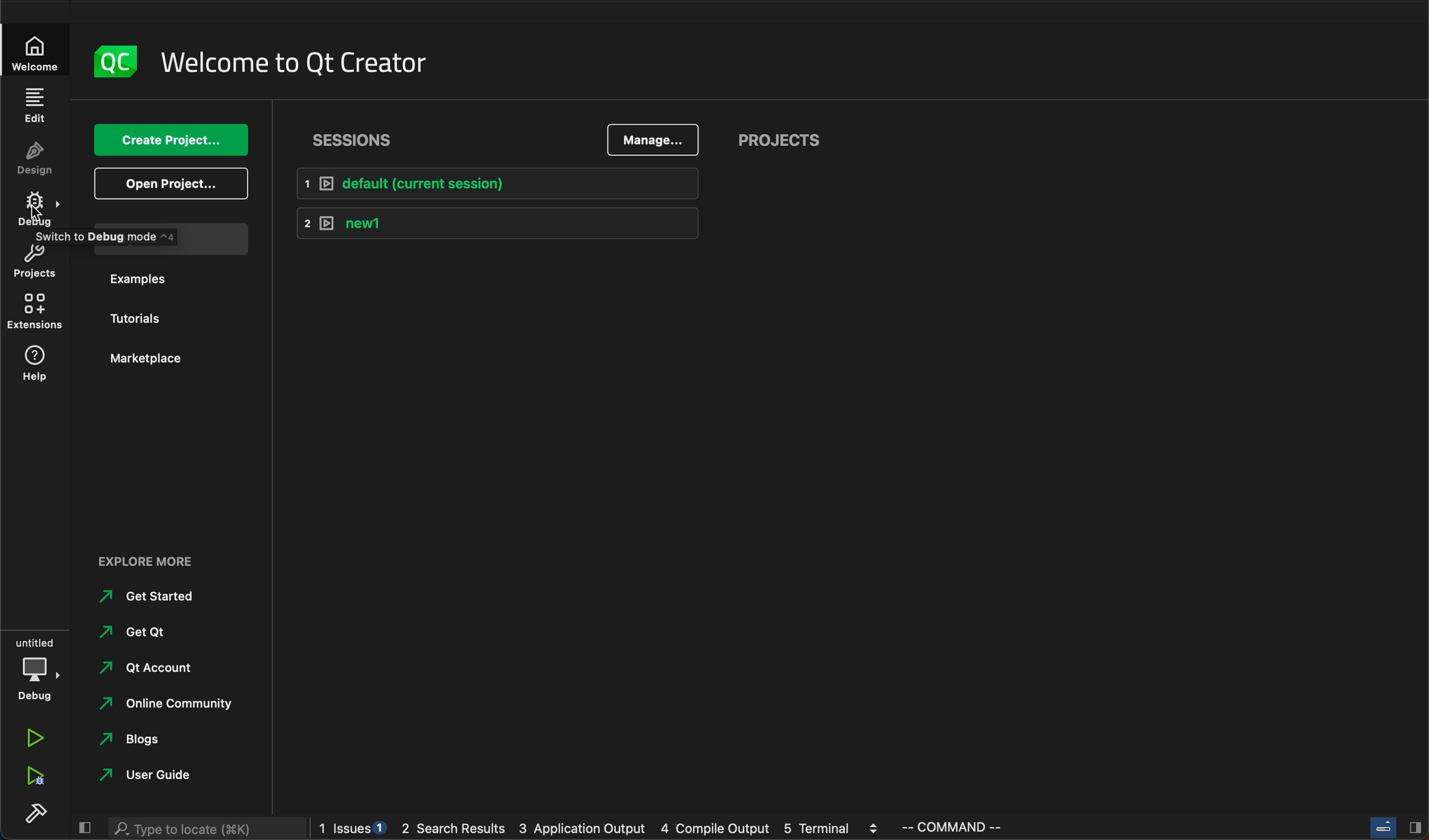  Describe the element at coordinates (148, 277) in the screenshot. I see `examples` at that location.